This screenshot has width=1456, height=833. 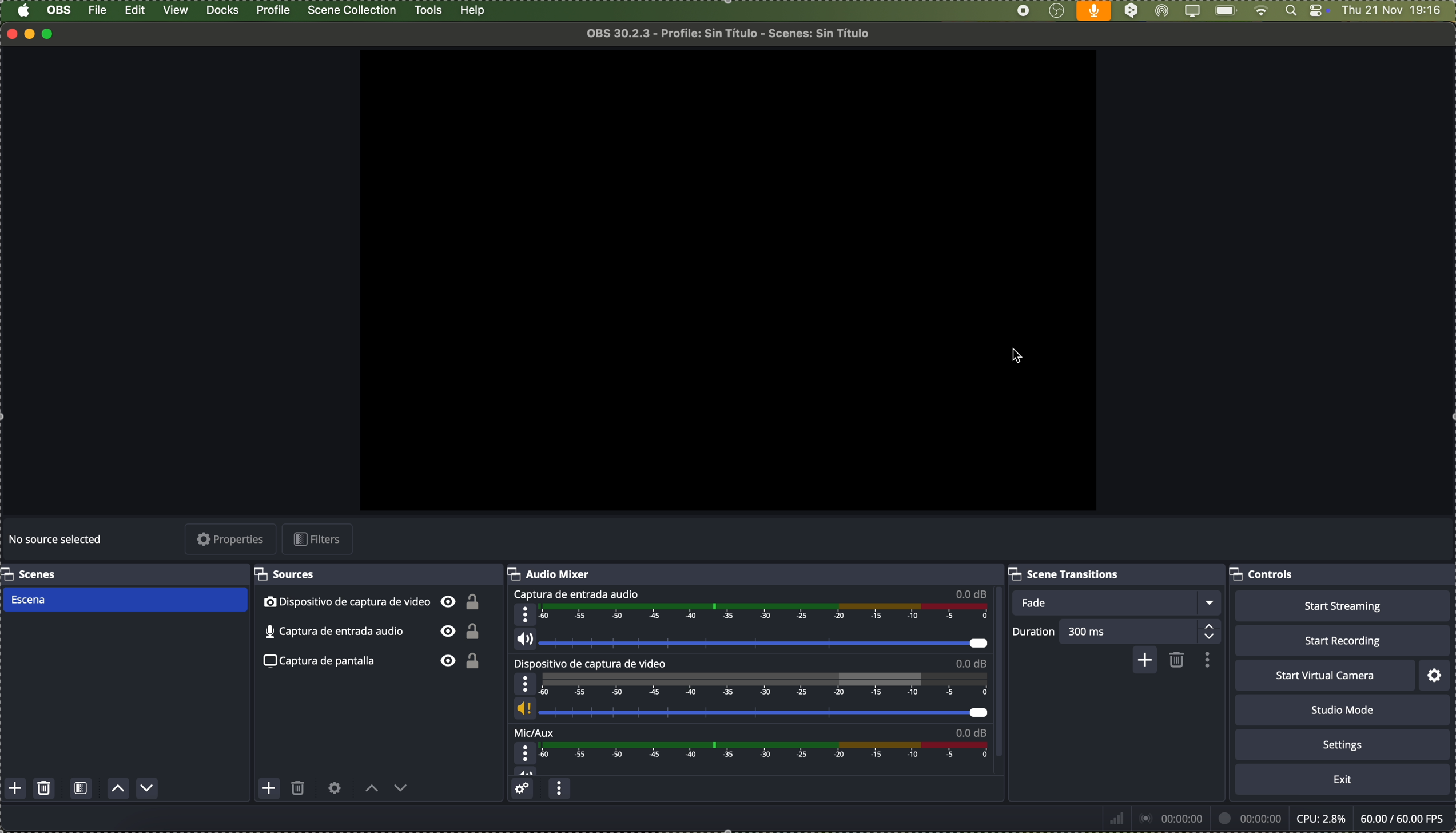 I want to click on duration, so click(x=1034, y=633).